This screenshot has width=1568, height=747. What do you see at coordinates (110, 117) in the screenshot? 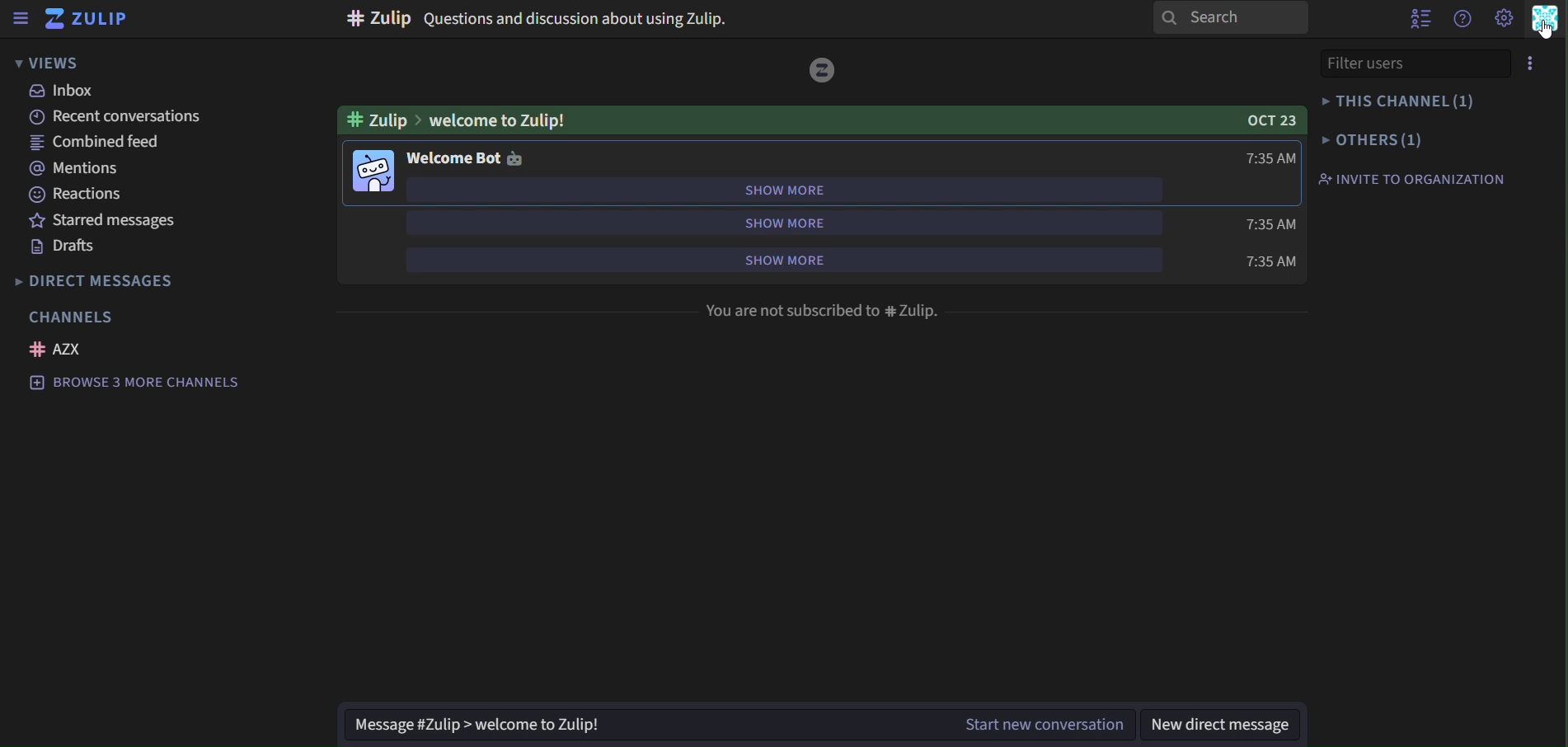
I see `recent conversations` at bounding box center [110, 117].